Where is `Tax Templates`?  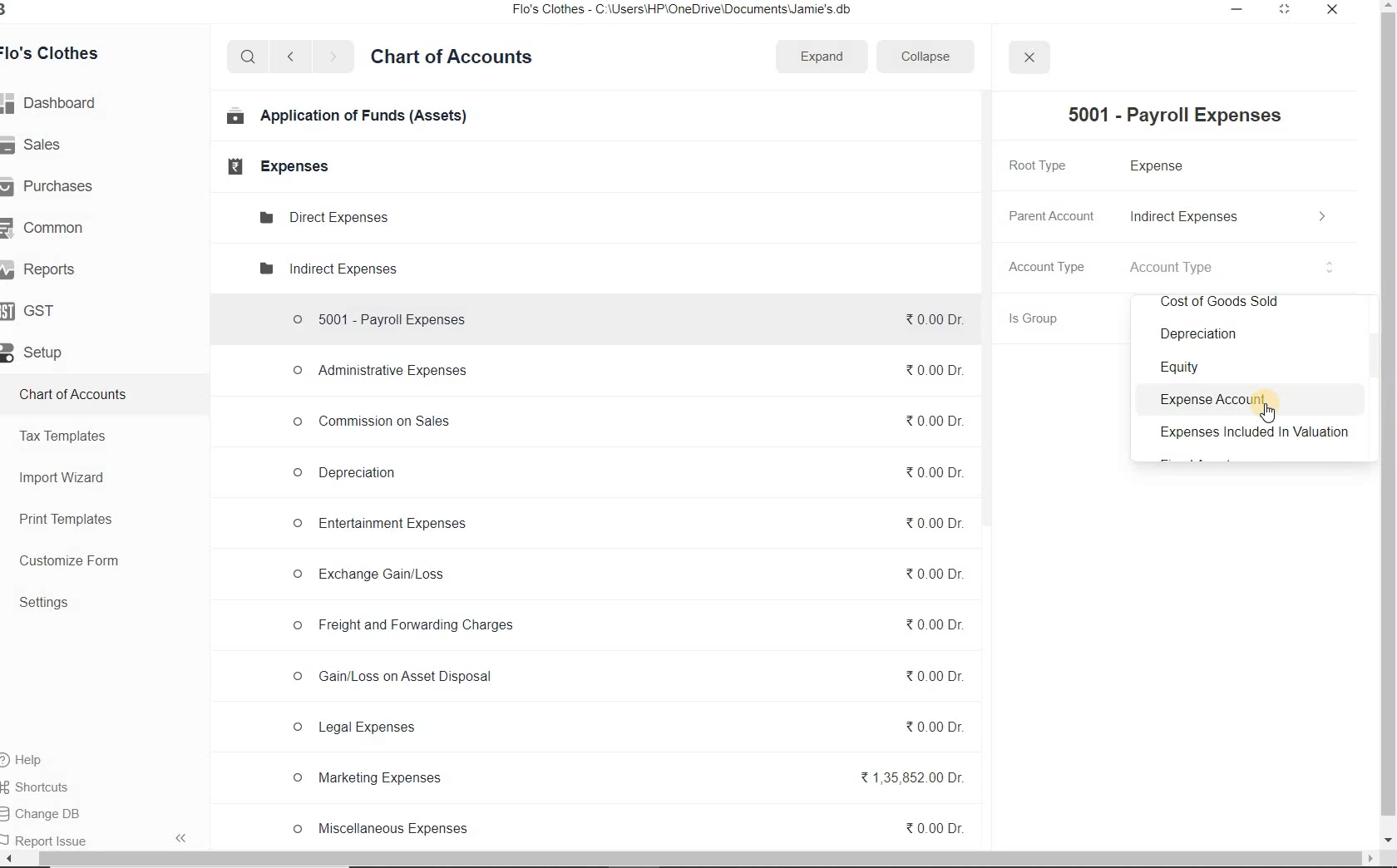
Tax Templates is located at coordinates (68, 436).